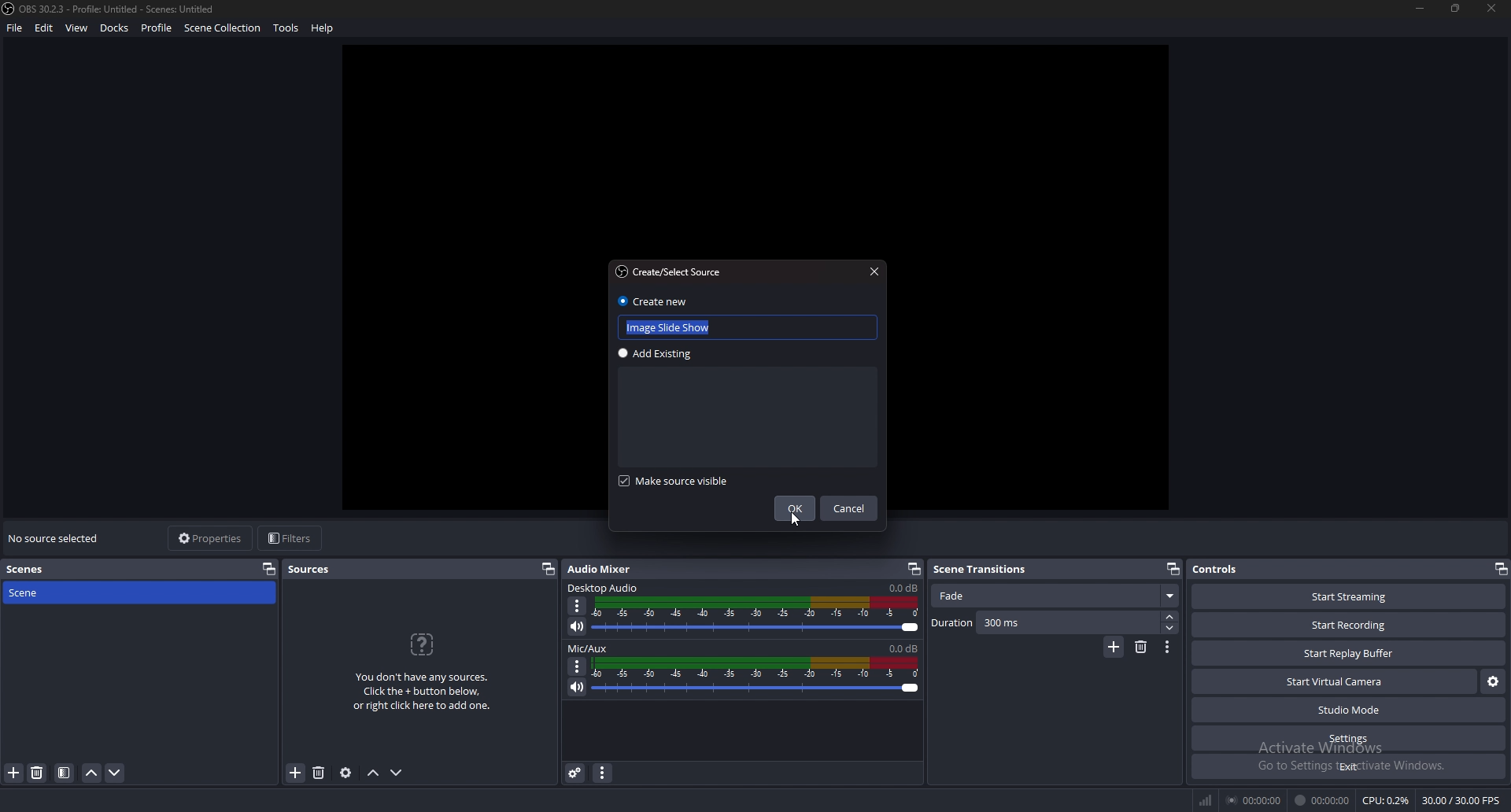  Describe the element at coordinates (796, 509) in the screenshot. I see `ok` at that location.